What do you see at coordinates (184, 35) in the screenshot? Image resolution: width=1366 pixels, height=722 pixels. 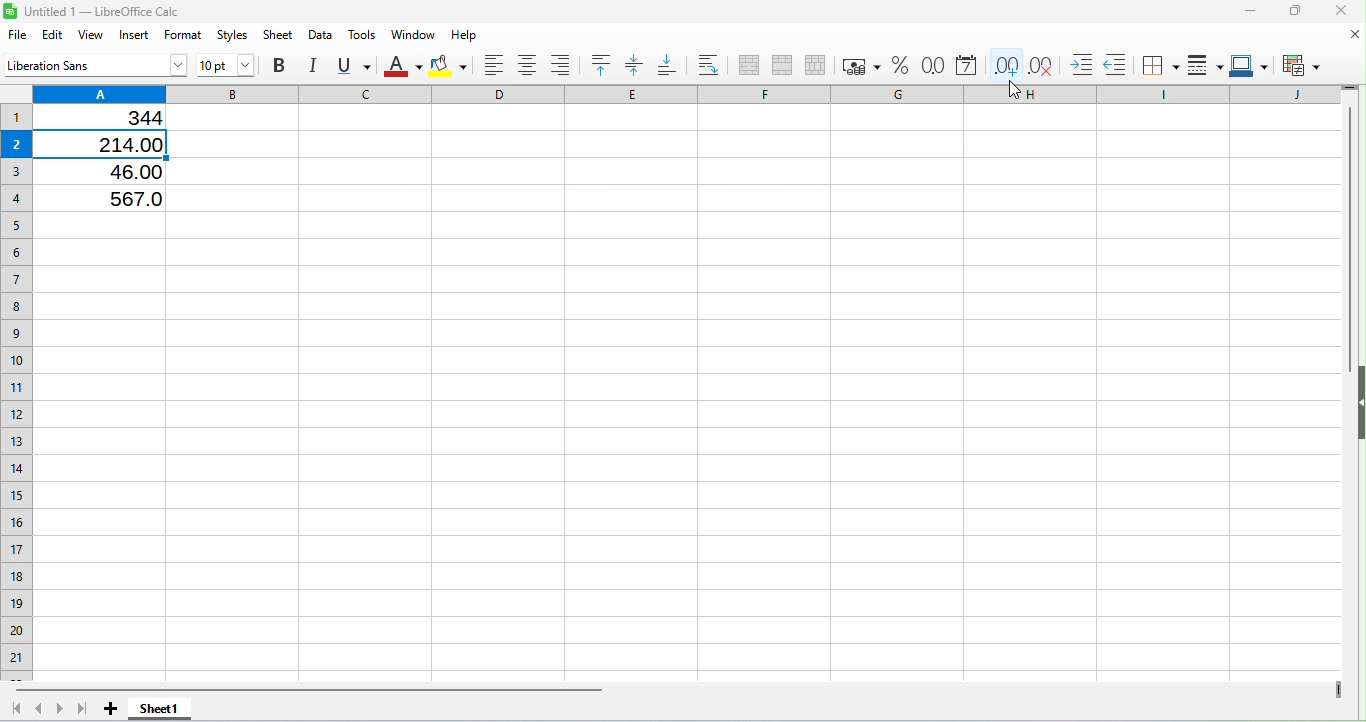 I see `Format` at bounding box center [184, 35].